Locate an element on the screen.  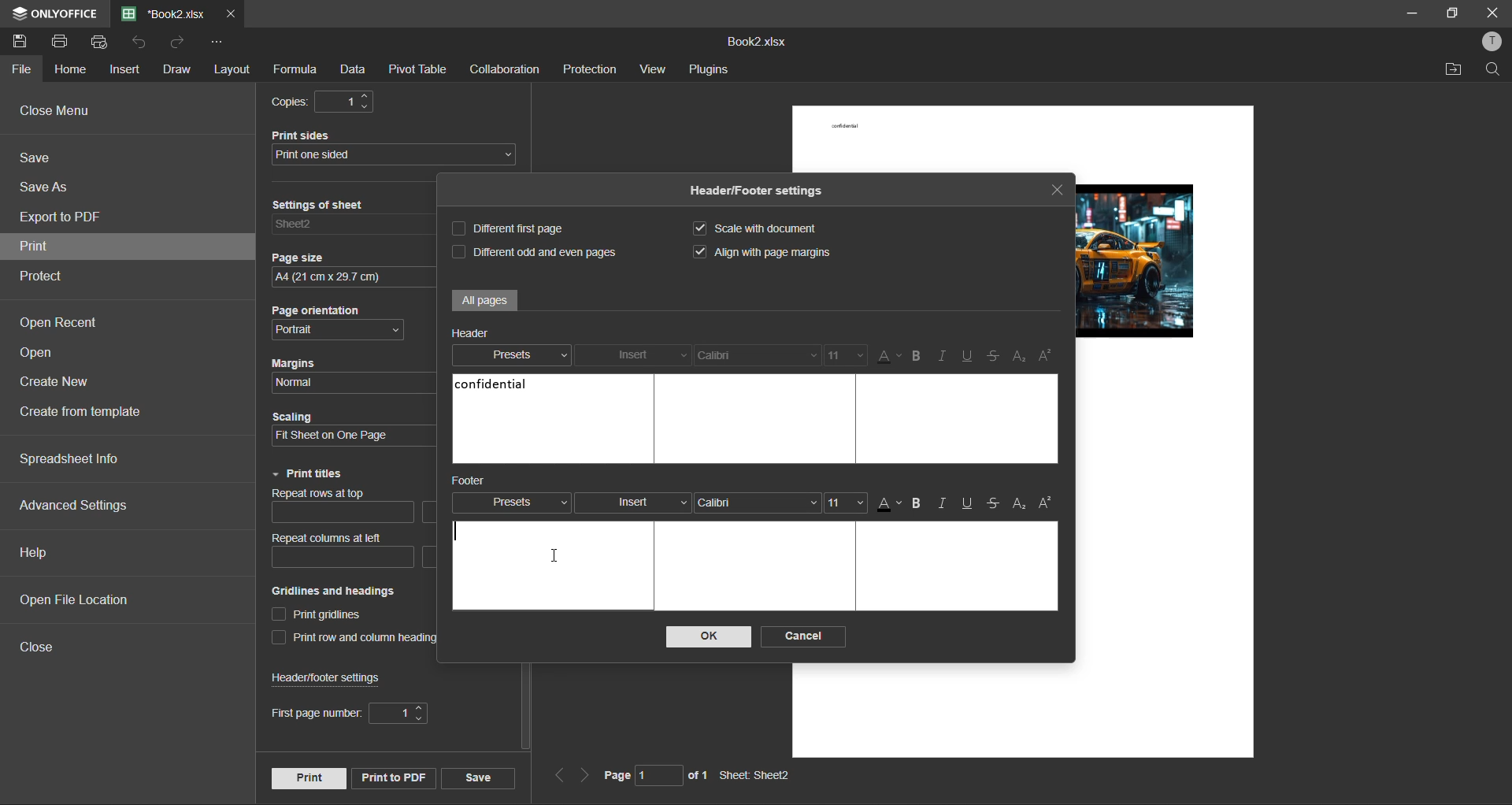
italic is located at coordinates (945, 354).